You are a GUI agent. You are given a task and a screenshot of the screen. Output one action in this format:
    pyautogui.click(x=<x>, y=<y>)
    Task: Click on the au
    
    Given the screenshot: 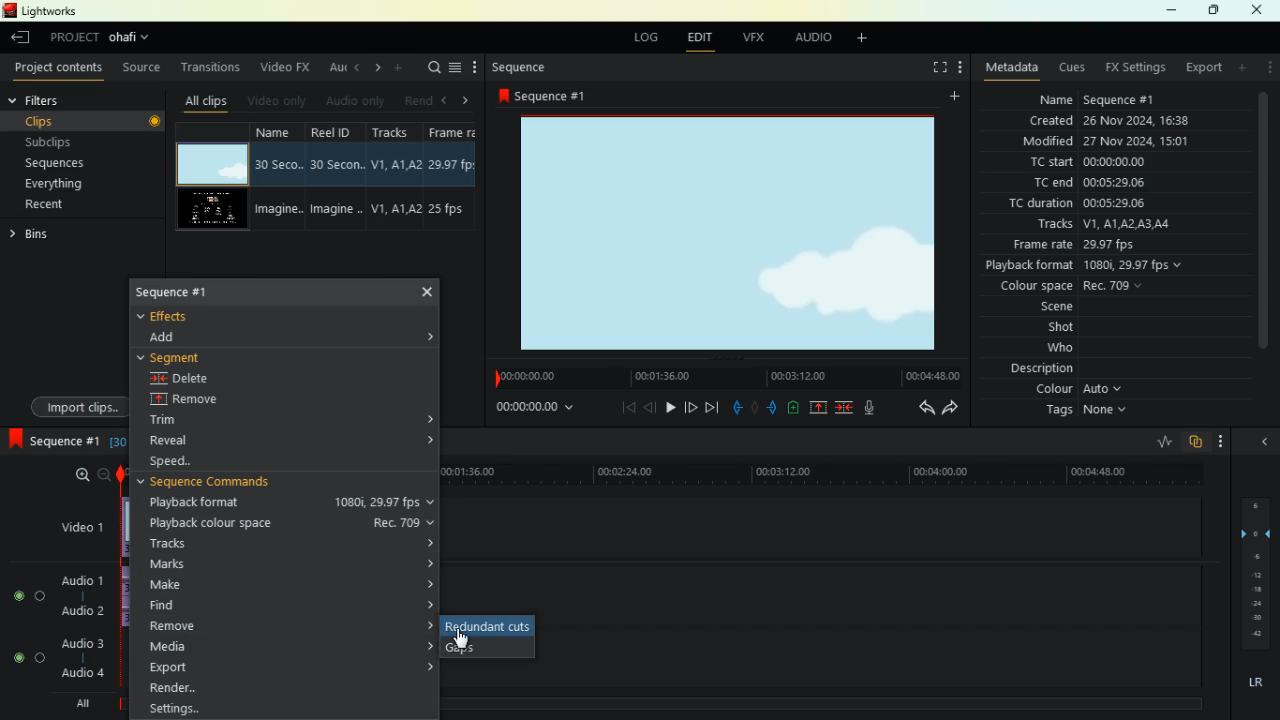 What is the action you would take?
    pyautogui.click(x=334, y=68)
    